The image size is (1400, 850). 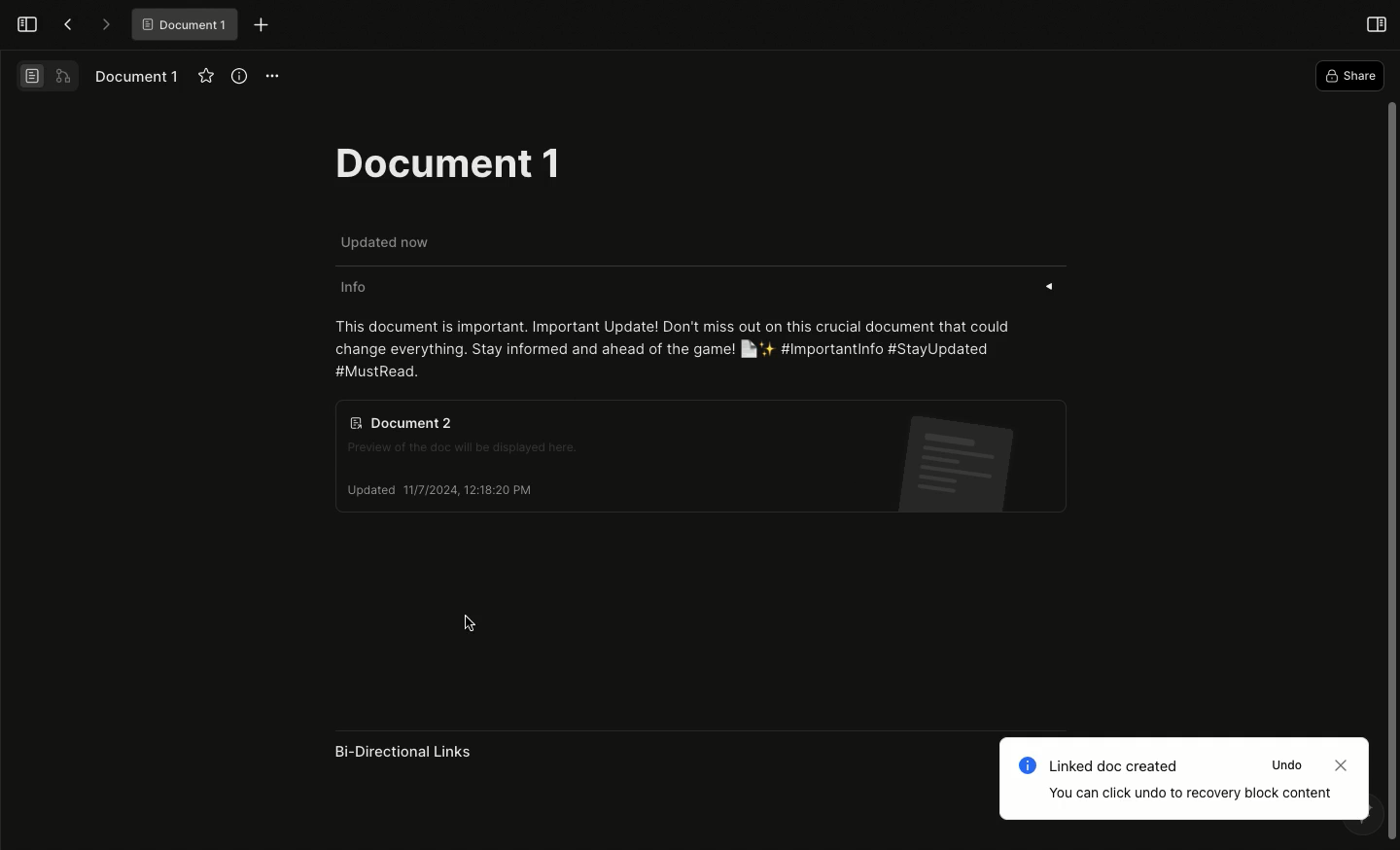 I want to click on Preview of the doc will be displayed here., so click(x=479, y=448).